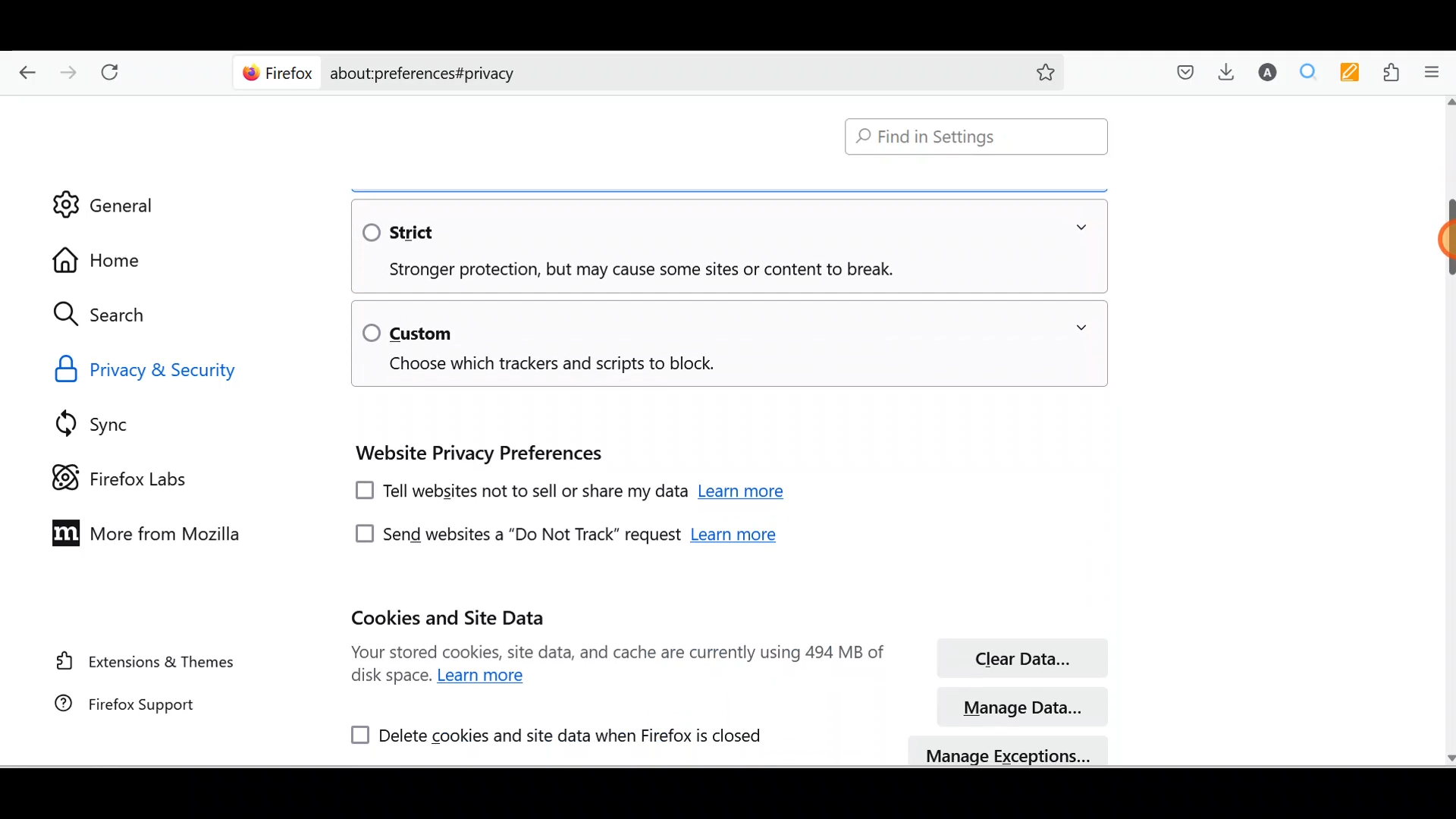  I want to click on Cookies and site data, so click(453, 618).